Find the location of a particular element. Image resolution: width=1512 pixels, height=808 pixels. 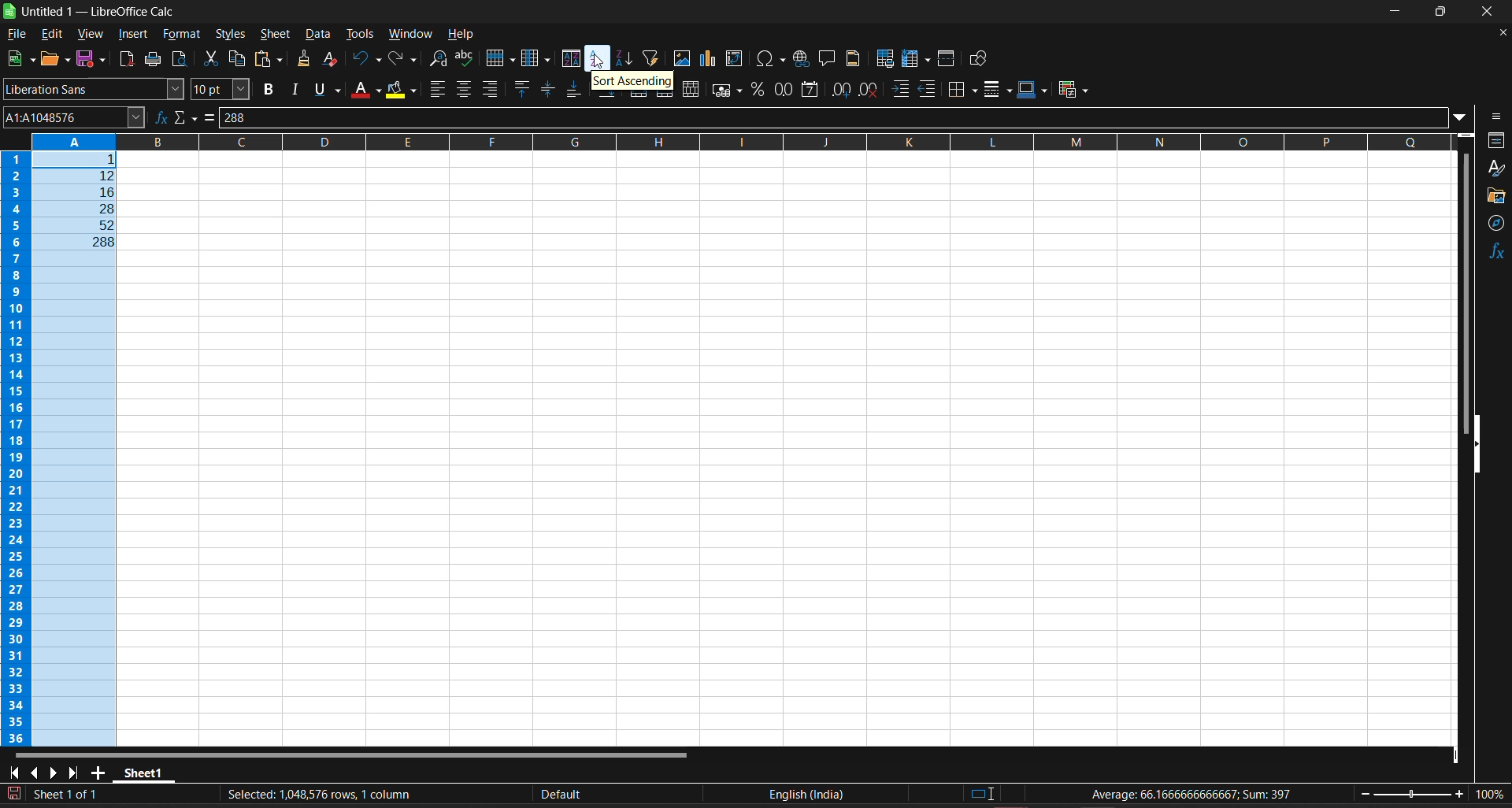

insert comment is located at coordinates (827, 59).